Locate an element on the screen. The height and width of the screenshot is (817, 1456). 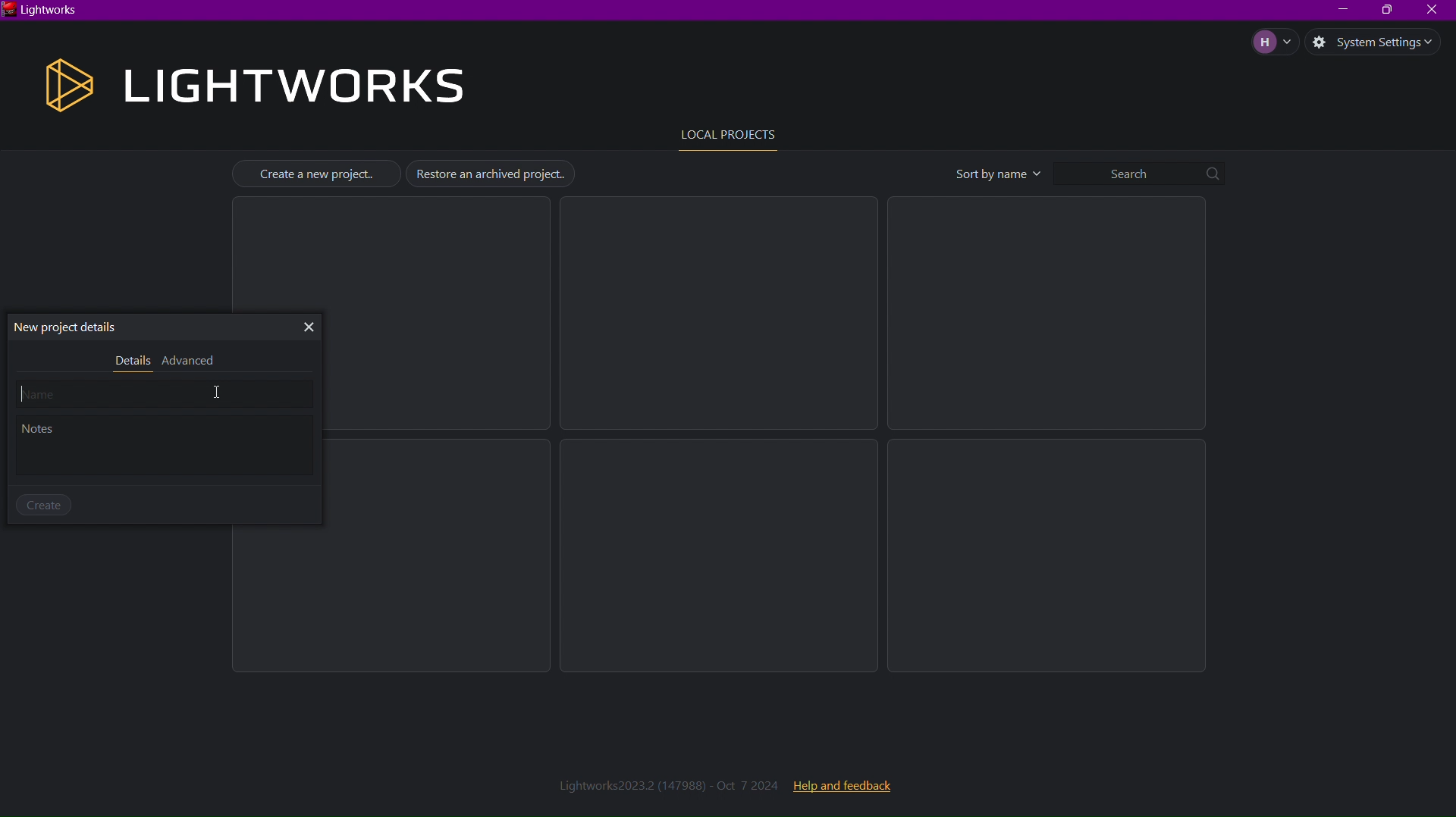
Notes is located at coordinates (166, 449).